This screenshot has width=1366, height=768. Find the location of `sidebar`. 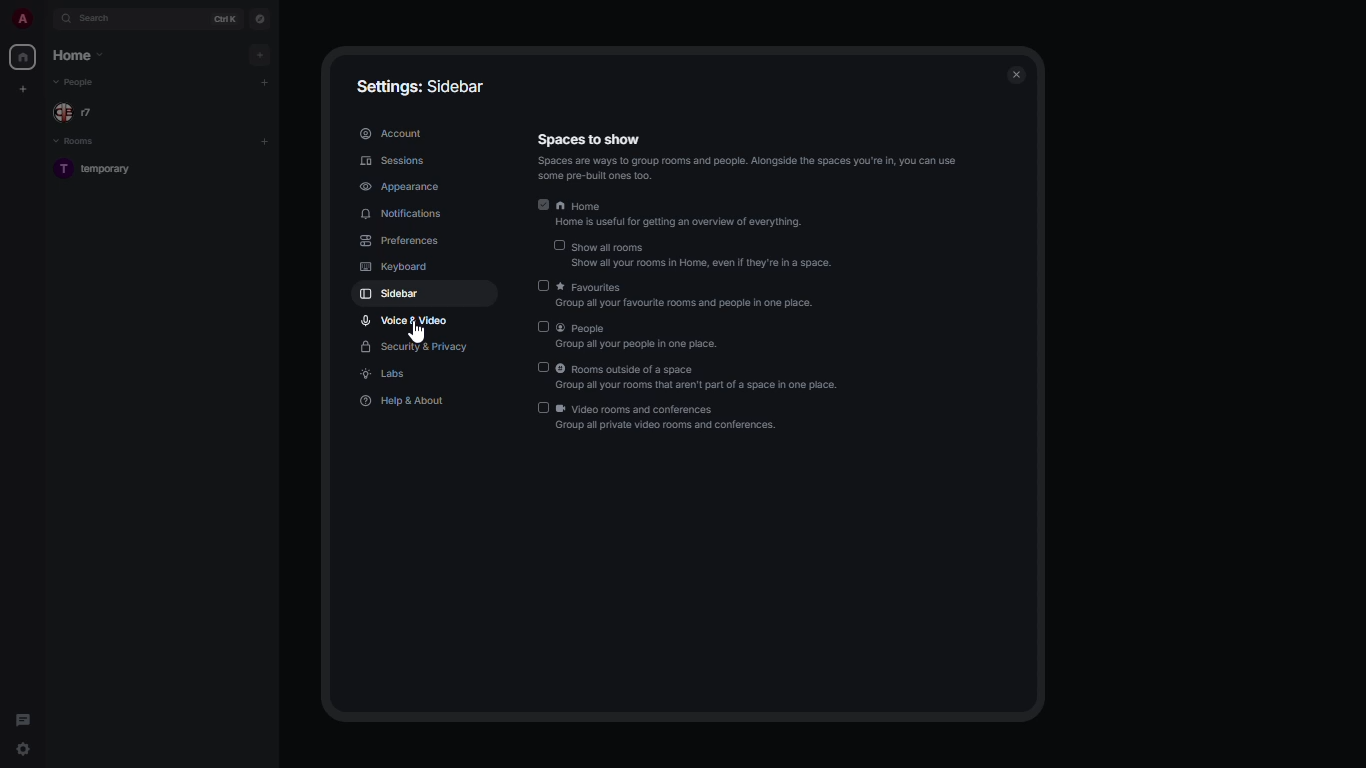

sidebar is located at coordinates (390, 293).